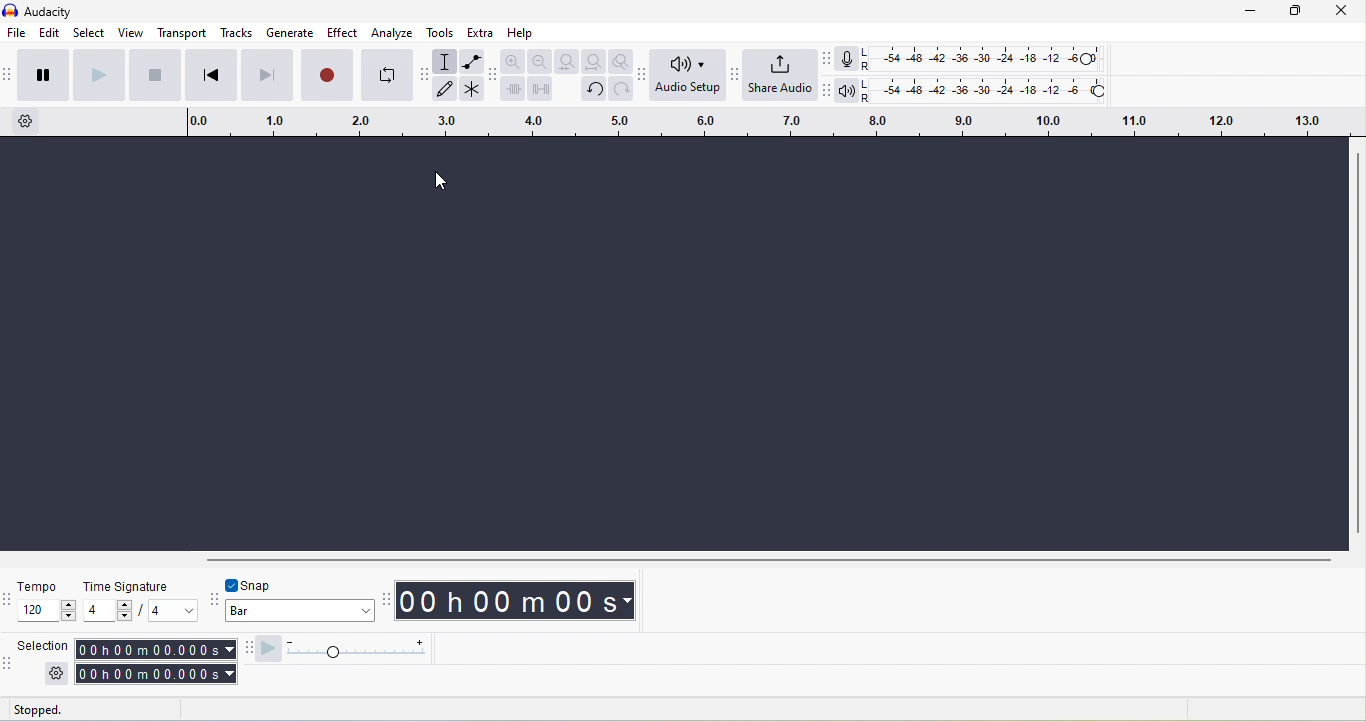  I want to click on audacity audio setup toolbar, so click(647, 76).